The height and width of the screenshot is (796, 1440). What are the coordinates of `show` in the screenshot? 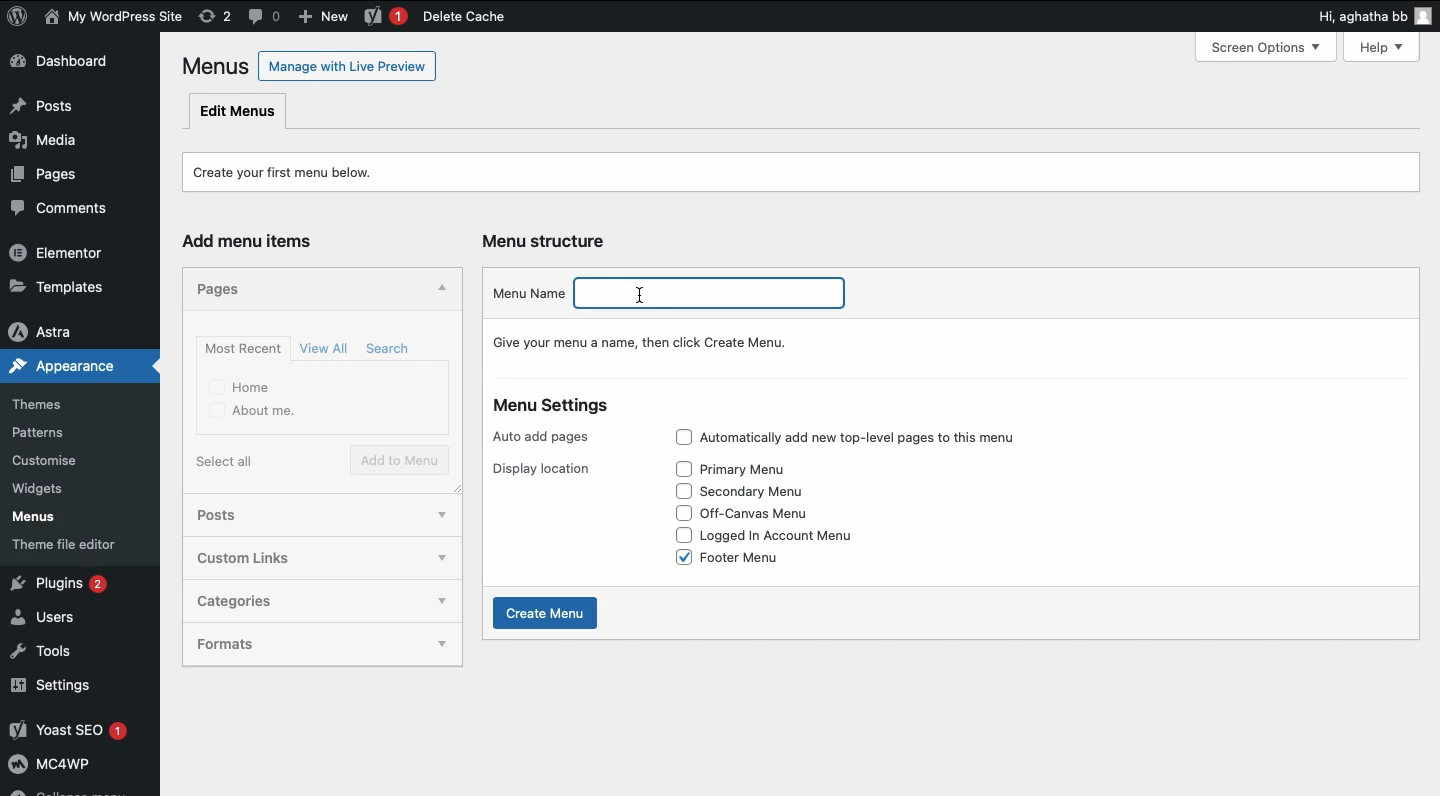 It's located at (443, 515).